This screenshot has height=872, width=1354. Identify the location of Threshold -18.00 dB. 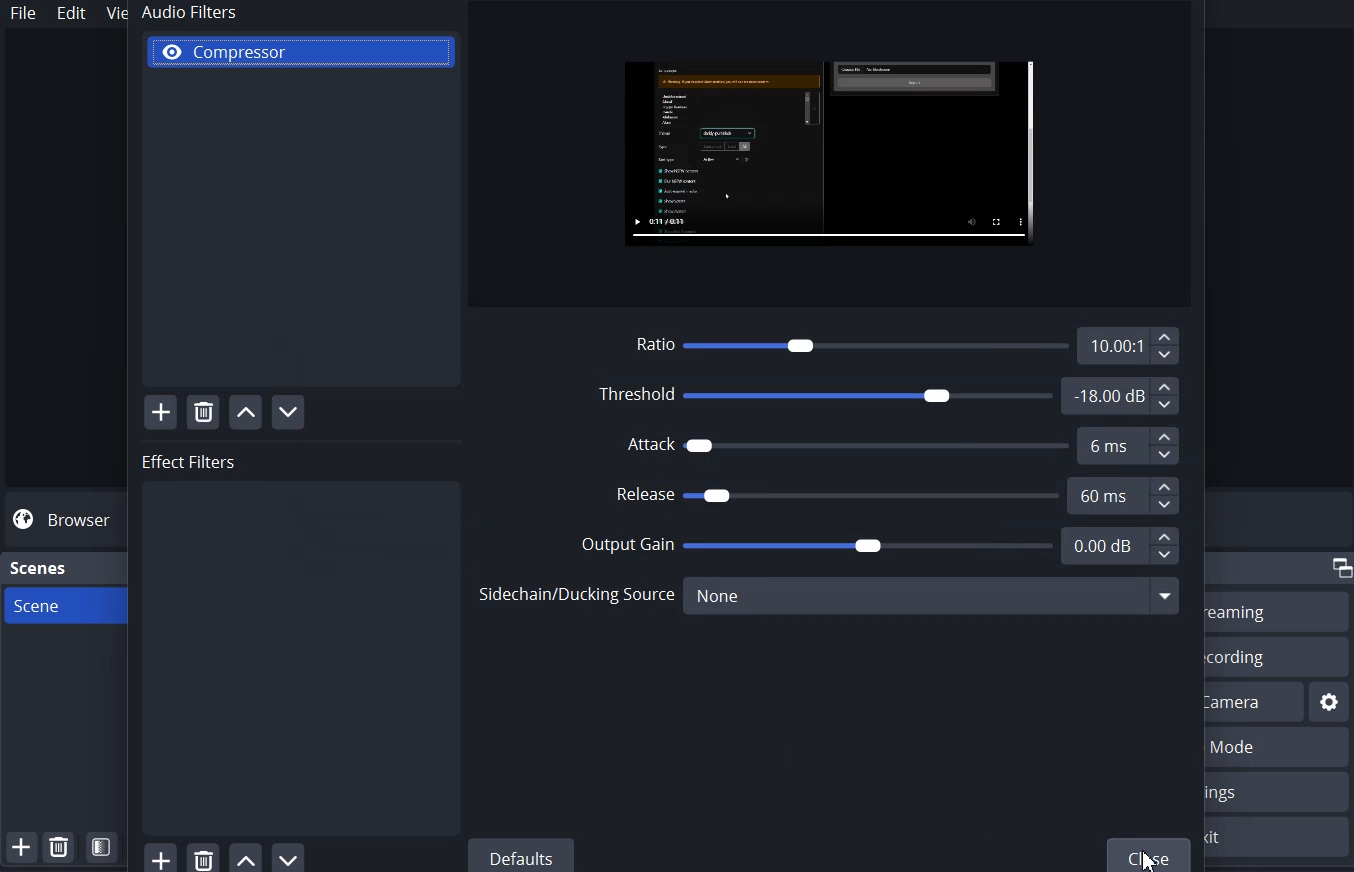
(892, 399).